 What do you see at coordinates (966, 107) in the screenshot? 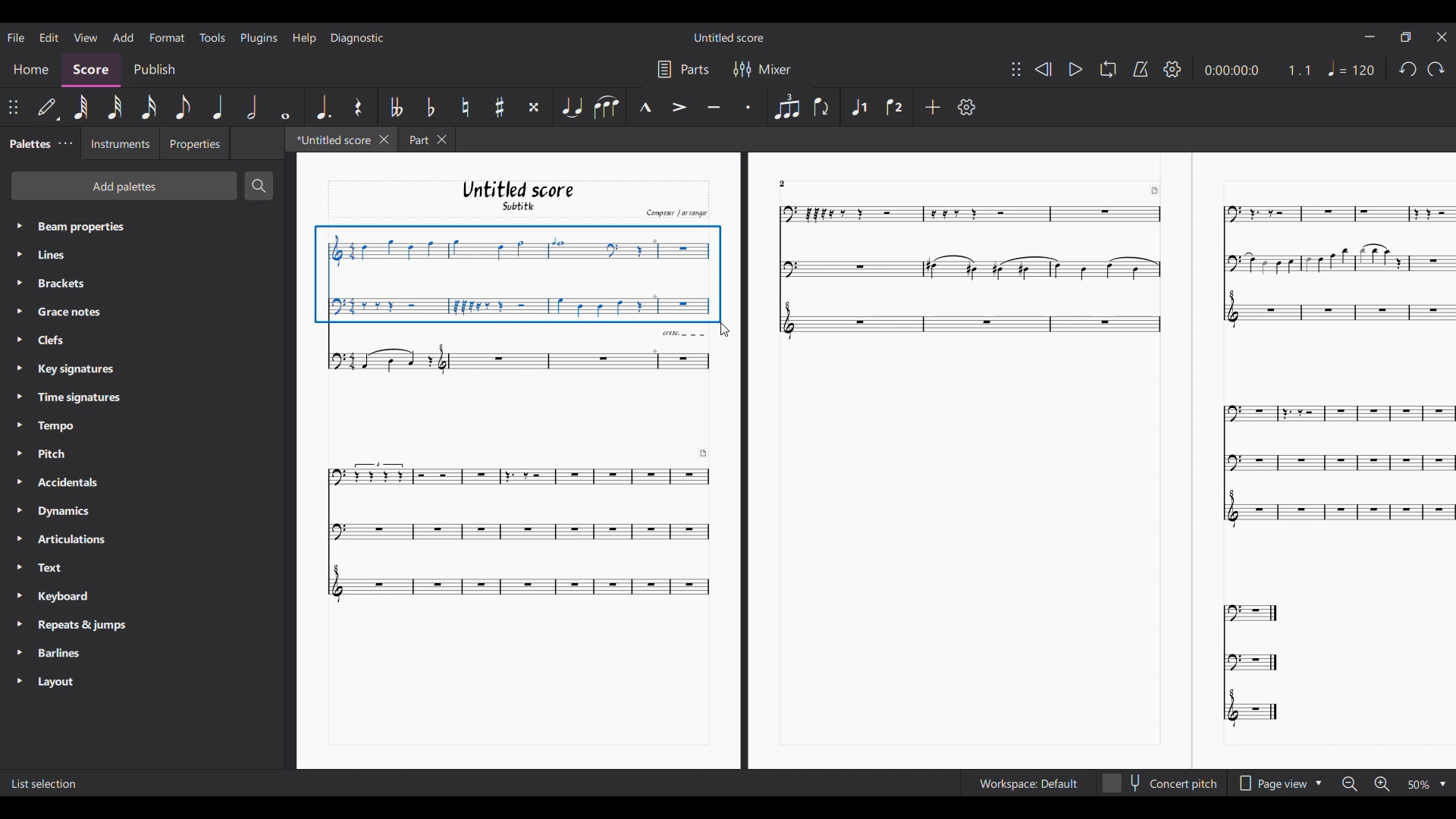
I see `Settings` at bounding box center [966, 107].